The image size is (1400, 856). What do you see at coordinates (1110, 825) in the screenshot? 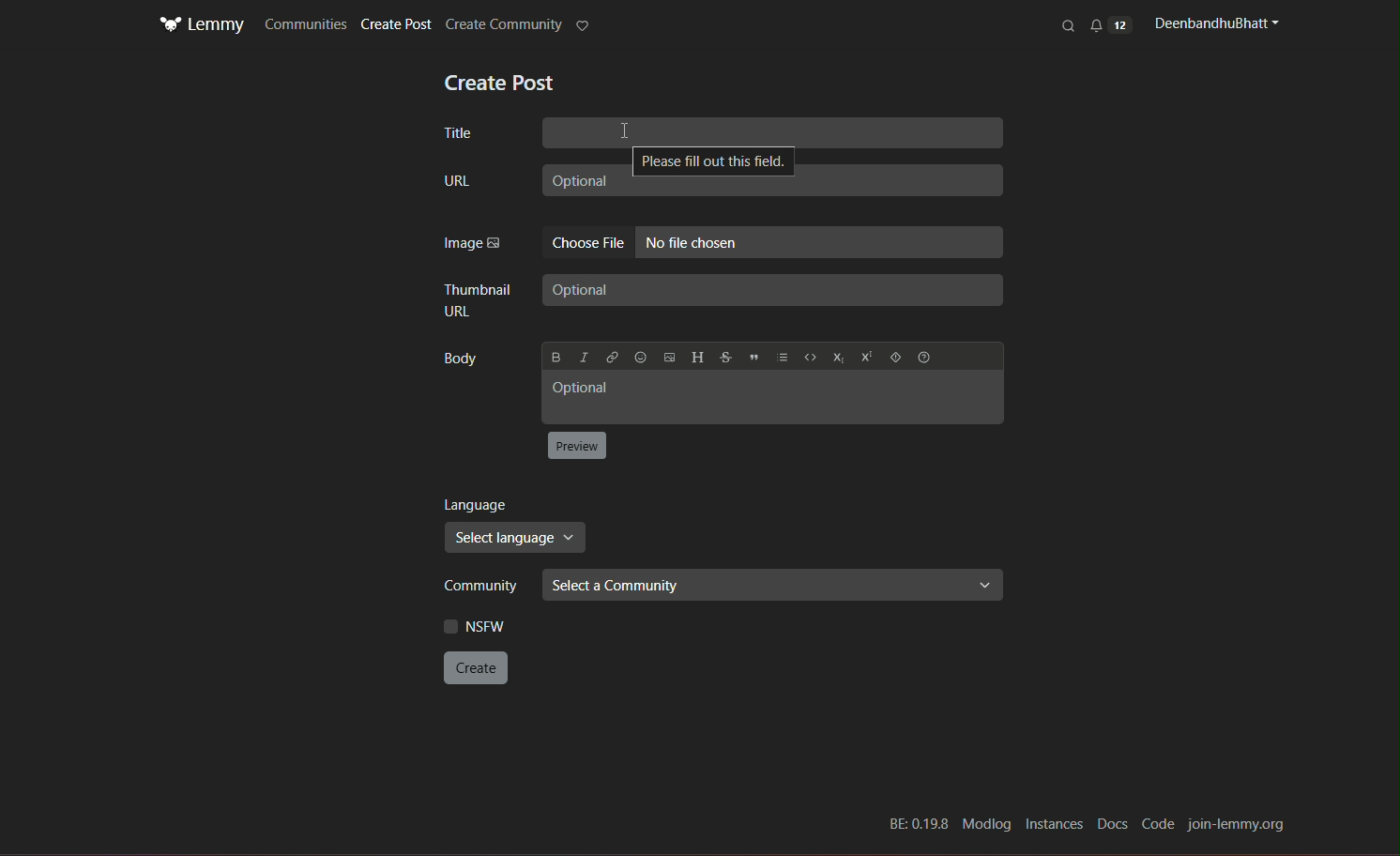
I see `Docs` at bounding box center [1110, 825].